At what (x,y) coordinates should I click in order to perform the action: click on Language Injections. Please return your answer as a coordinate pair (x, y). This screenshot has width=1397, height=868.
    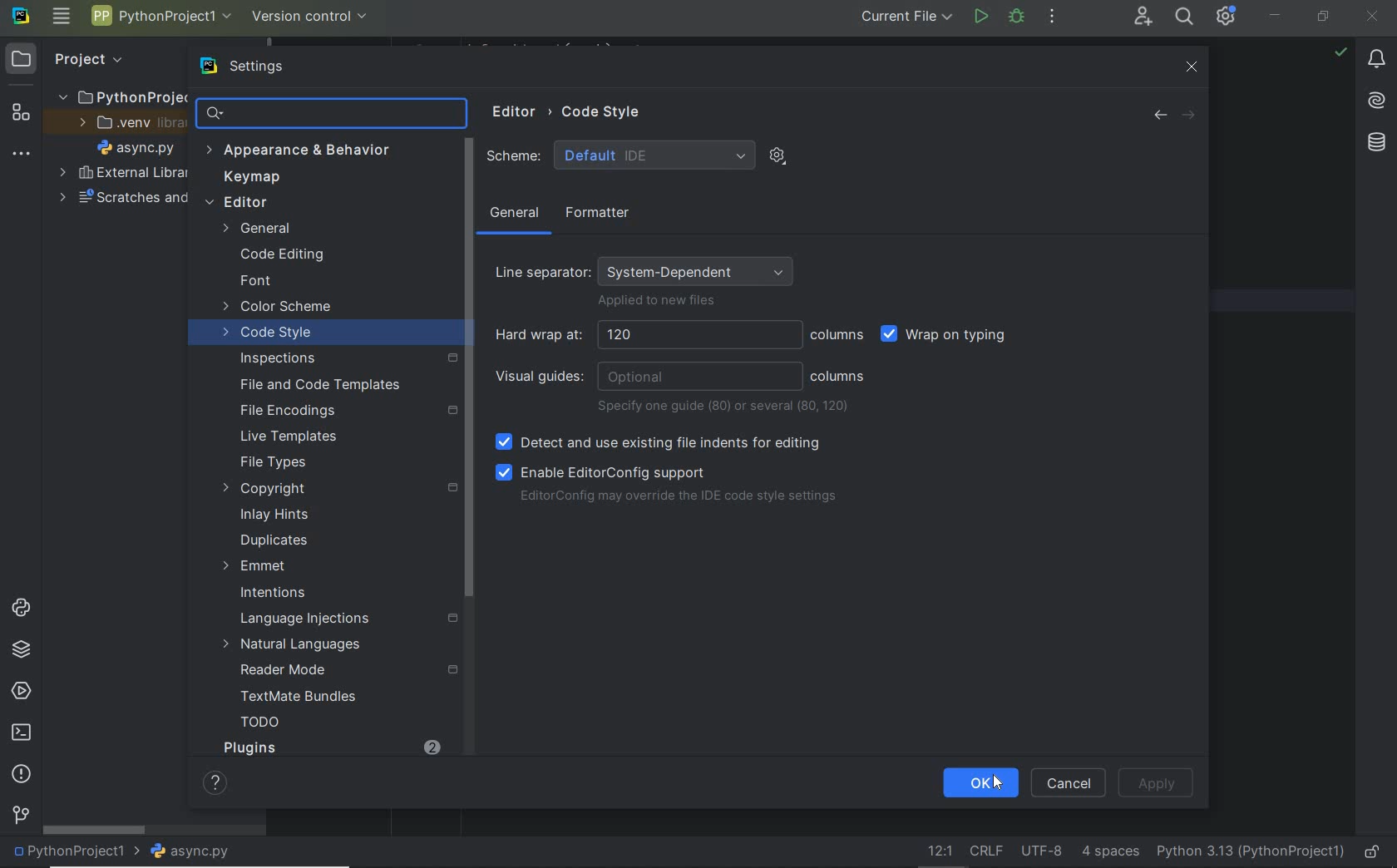
    Looking at the image, I should click on (349, 619).